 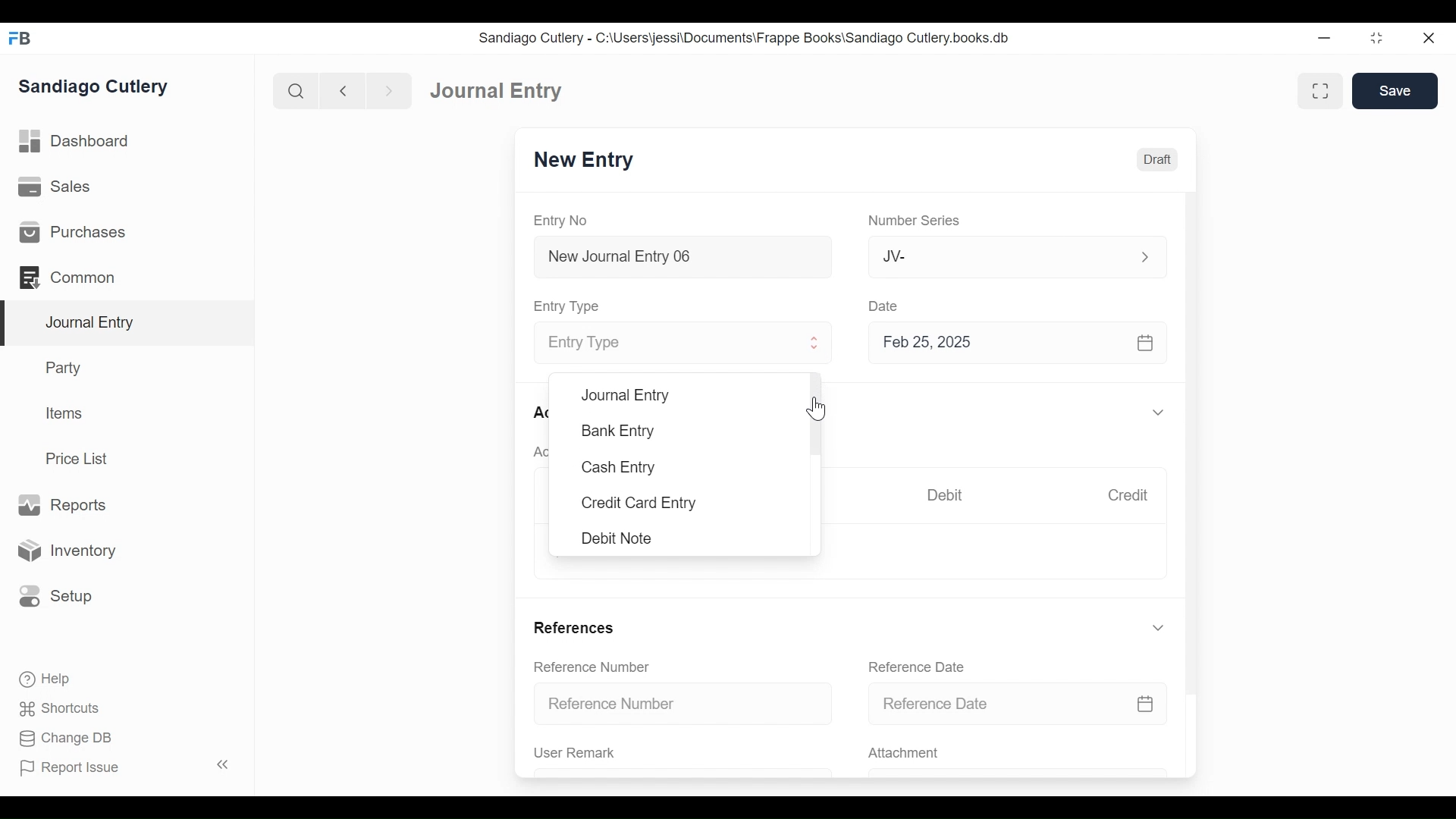 I want to click on Journal Entry, so click(x=625, y=395).